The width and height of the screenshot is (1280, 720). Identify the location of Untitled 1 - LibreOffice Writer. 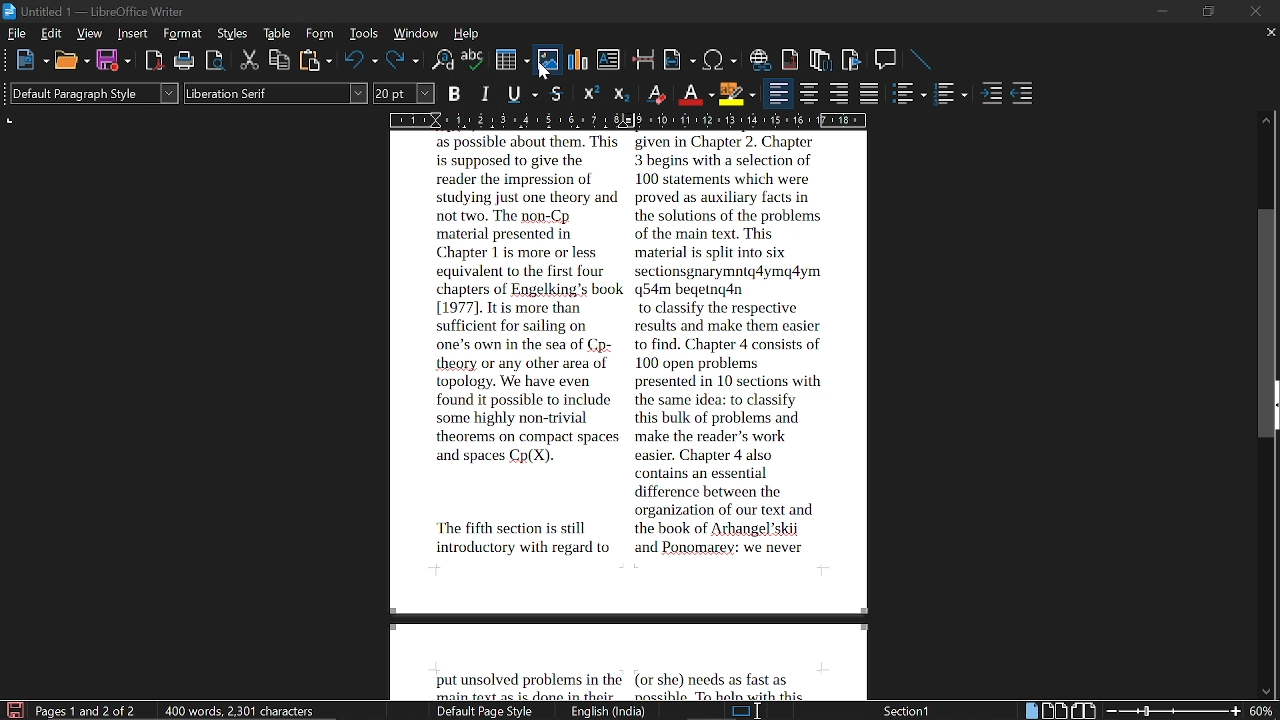
(102, 12).